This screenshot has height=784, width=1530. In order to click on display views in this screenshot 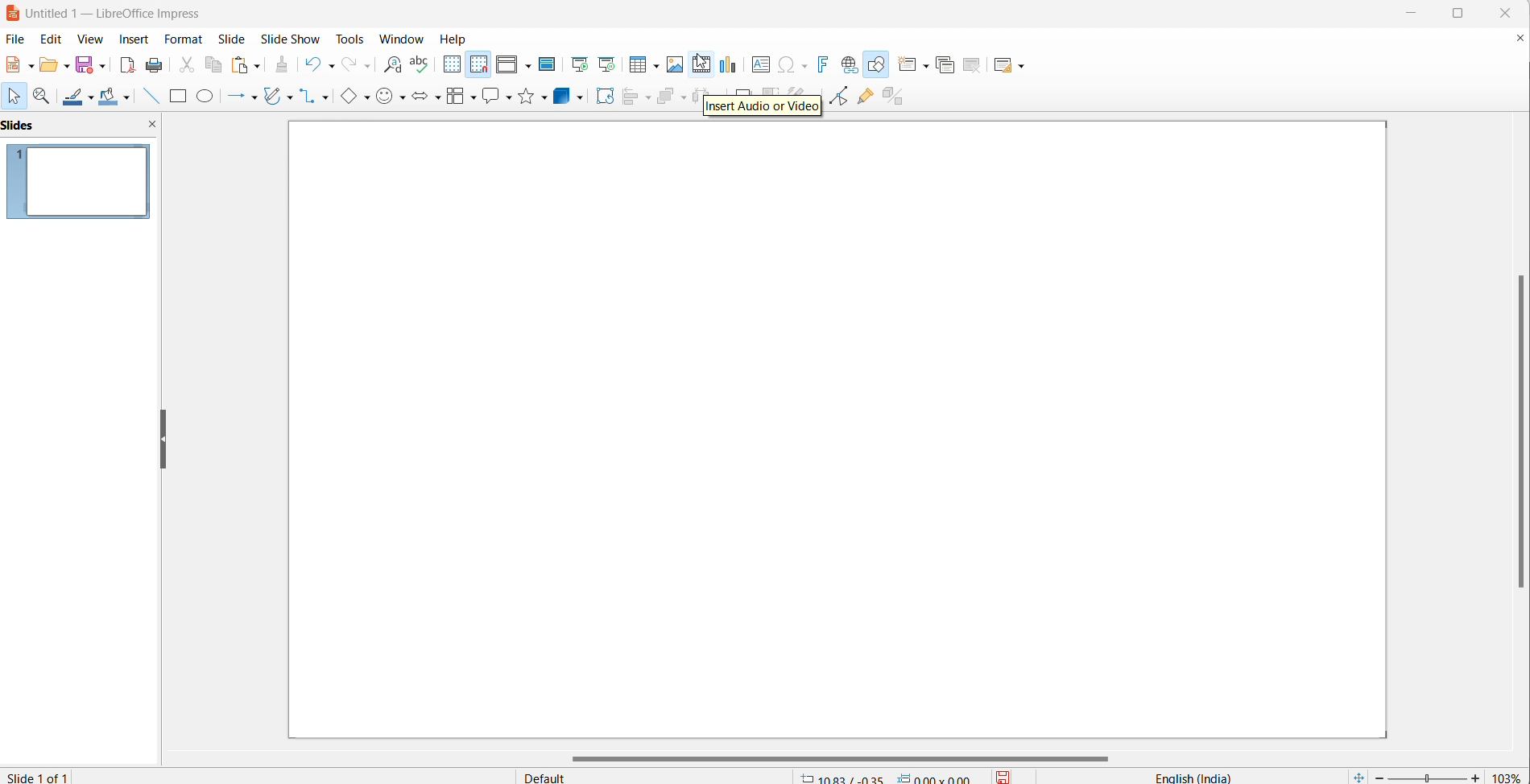, I will do `click(507, 65)`.